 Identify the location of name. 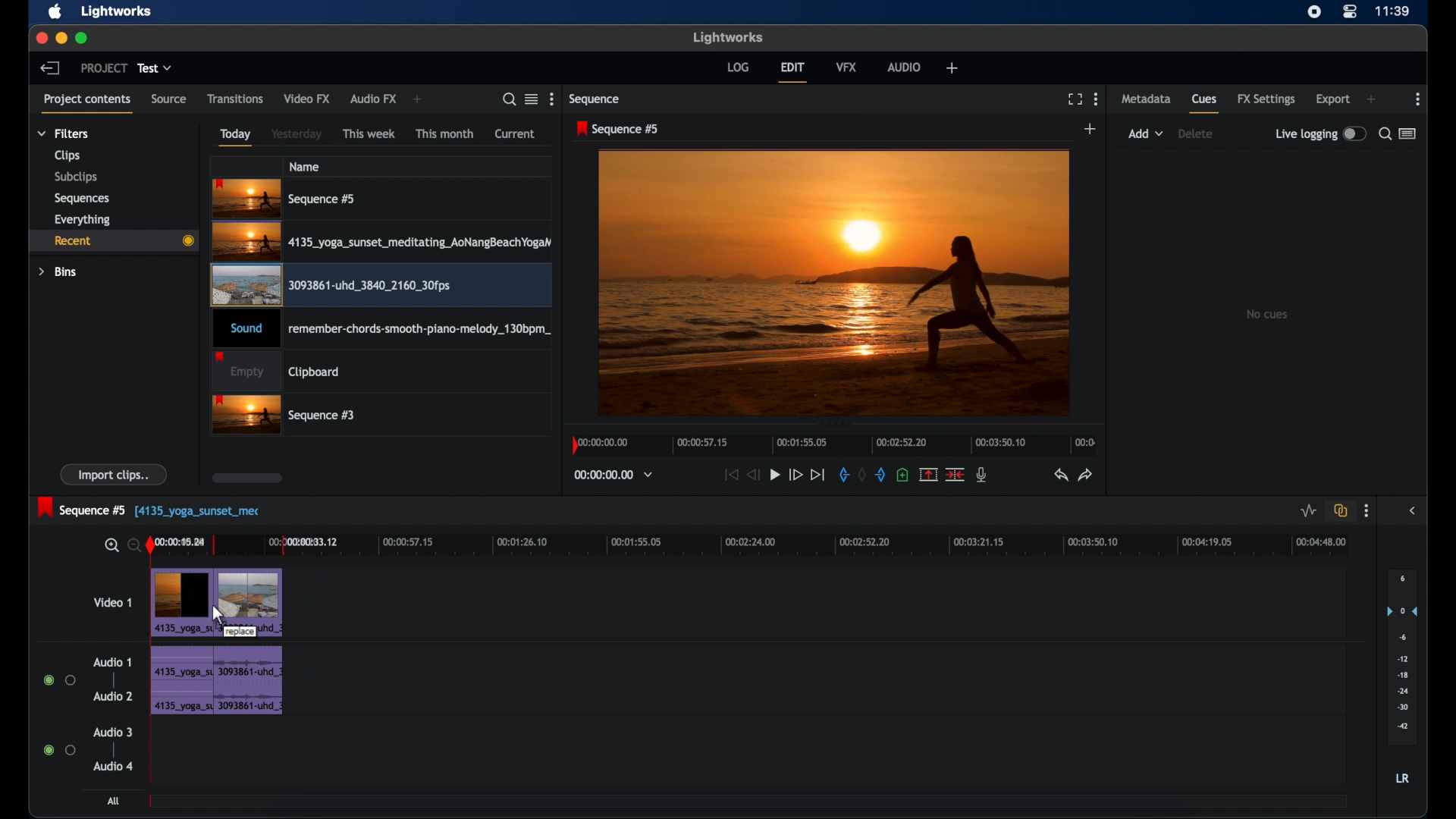
(306, 166).